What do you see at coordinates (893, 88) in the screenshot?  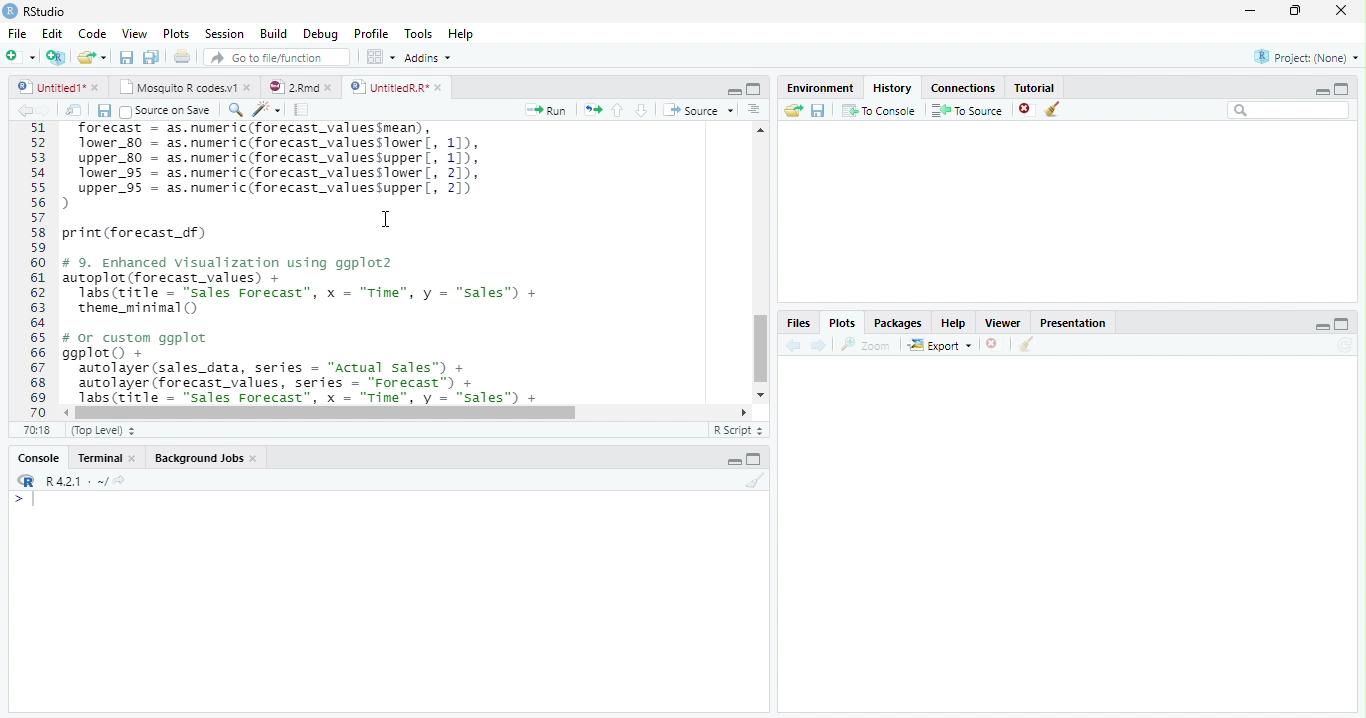 I see `History` at bounding box center [893, 88].